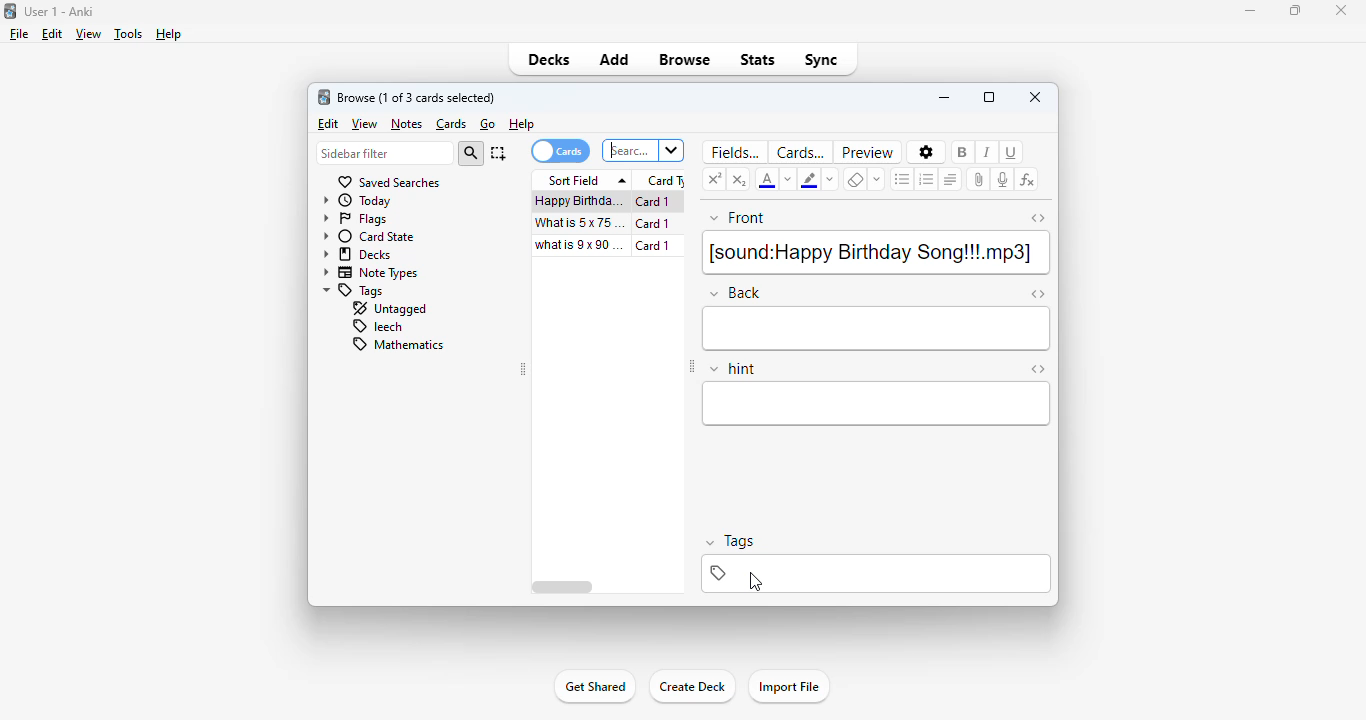  Describe the element at coordinates (522, 124) in the screenshot. I see `help` at that location.